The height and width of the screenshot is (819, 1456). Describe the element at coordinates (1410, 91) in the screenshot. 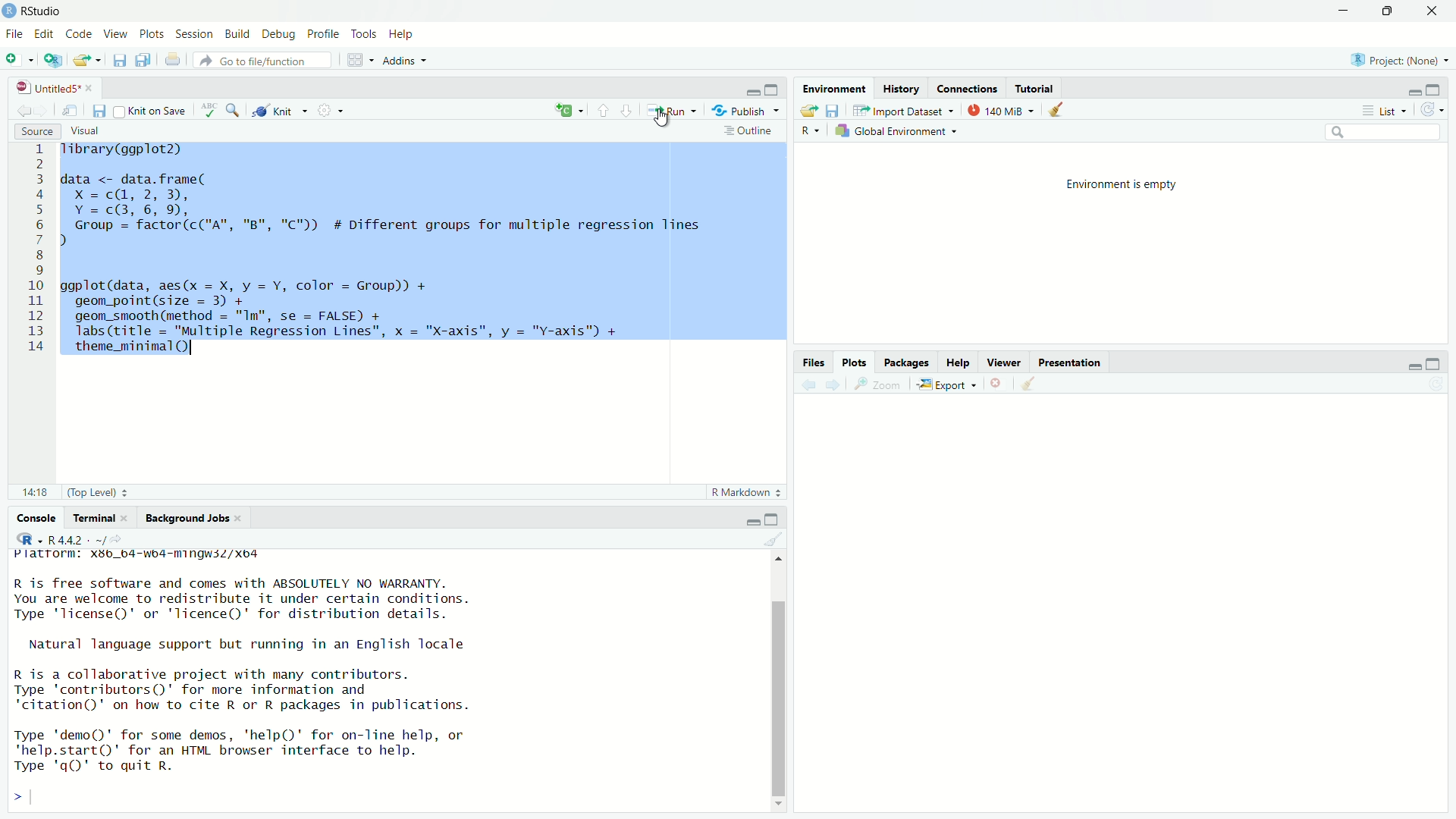

I see `minimise` at that location.